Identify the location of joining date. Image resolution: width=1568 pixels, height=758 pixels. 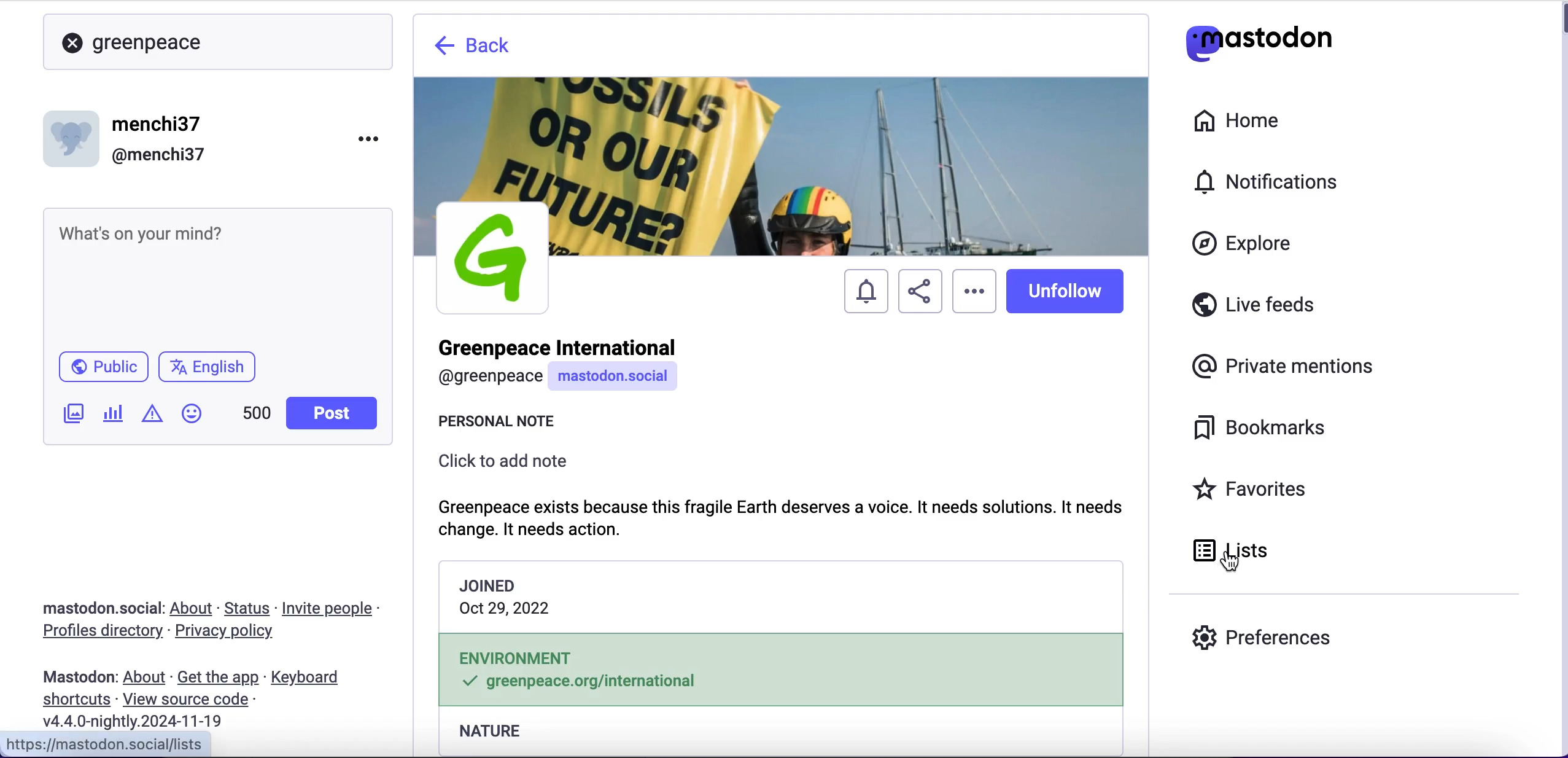
(776, 596).